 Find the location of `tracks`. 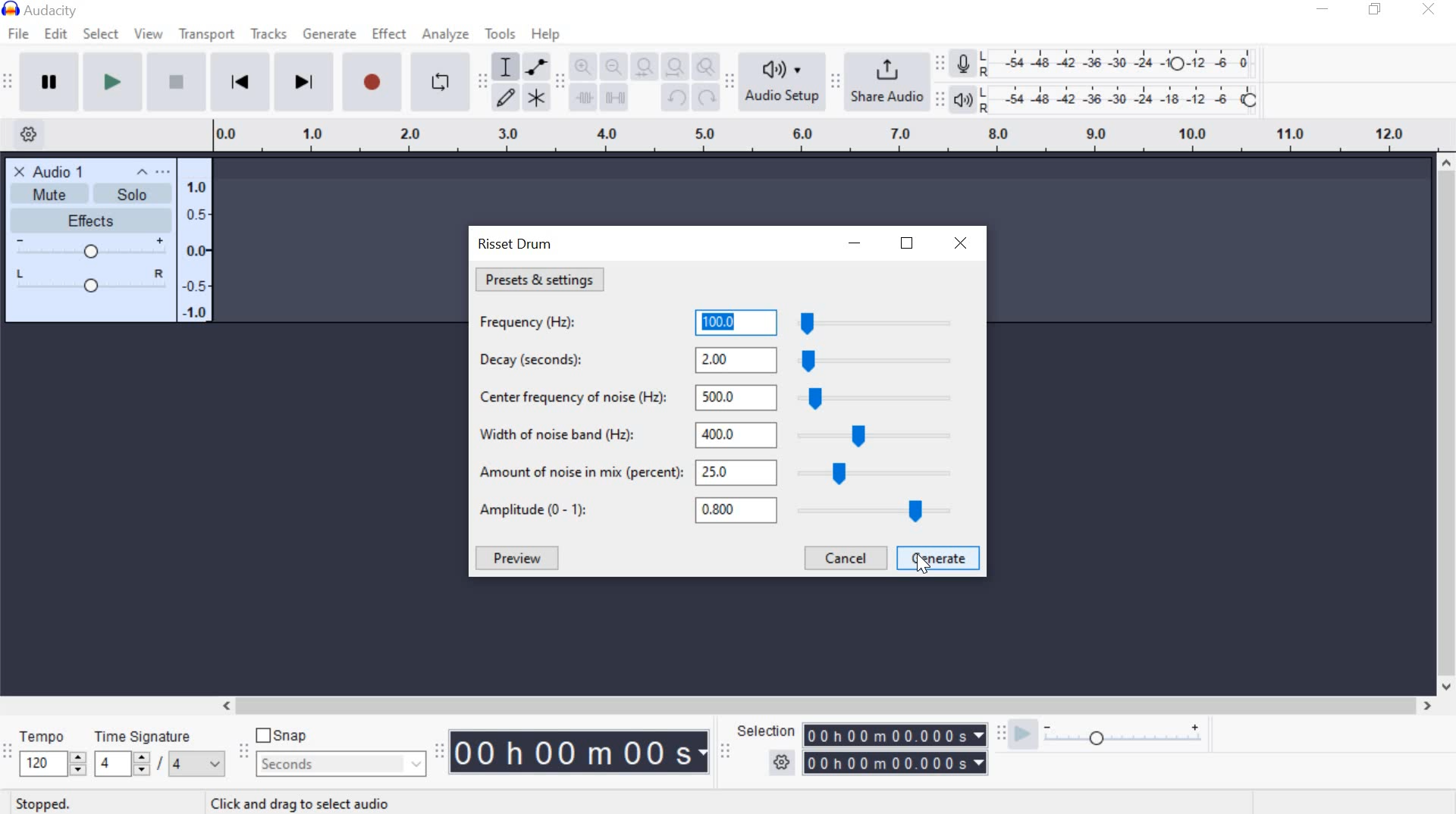

tracks is located at coordinates (268, 34).